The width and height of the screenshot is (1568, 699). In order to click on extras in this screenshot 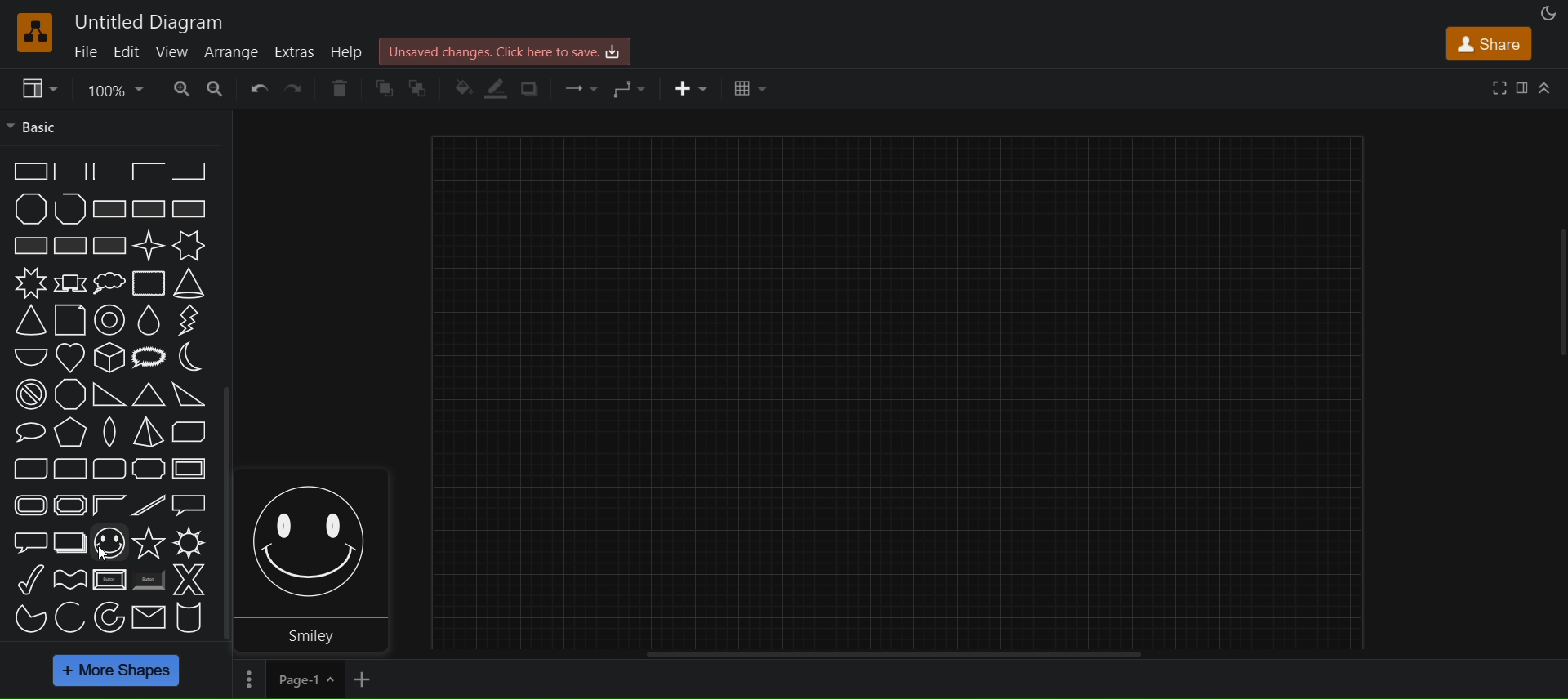, I will do `click(296, 51)`.